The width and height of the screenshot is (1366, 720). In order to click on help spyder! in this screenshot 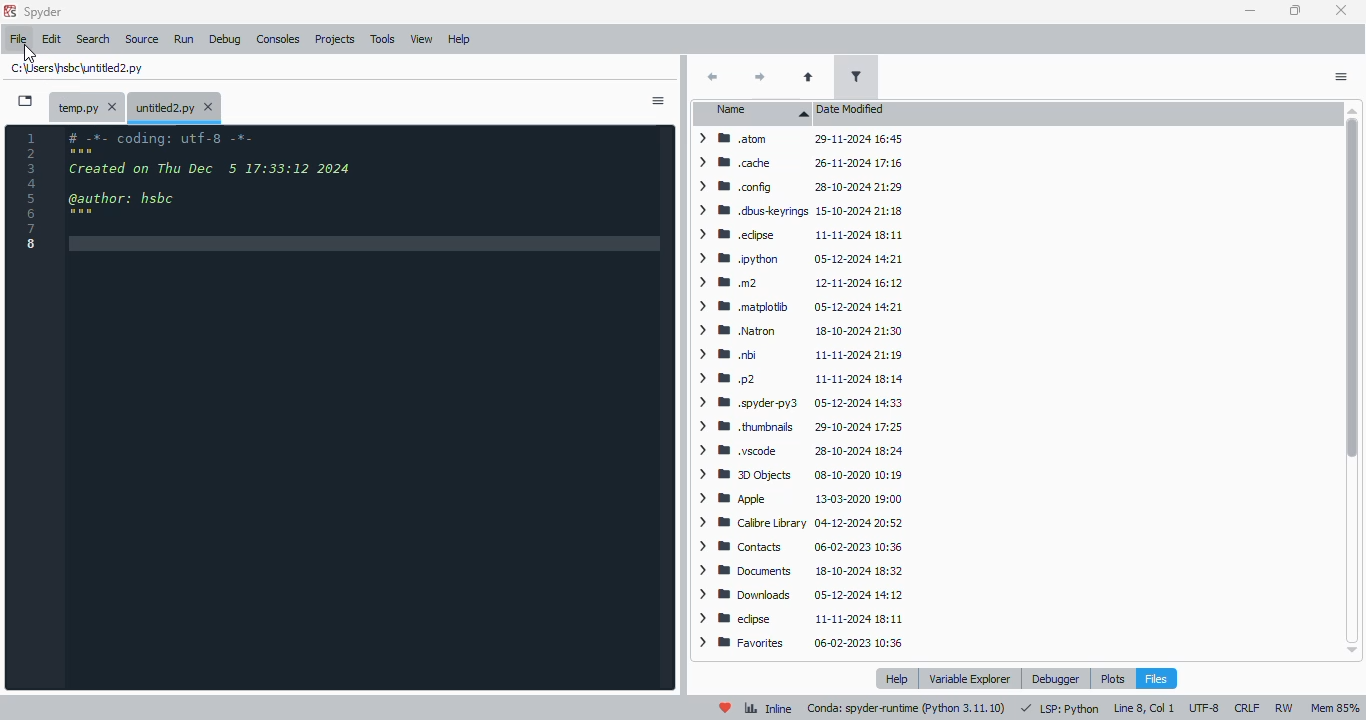, I will do `click(725, 708)`.